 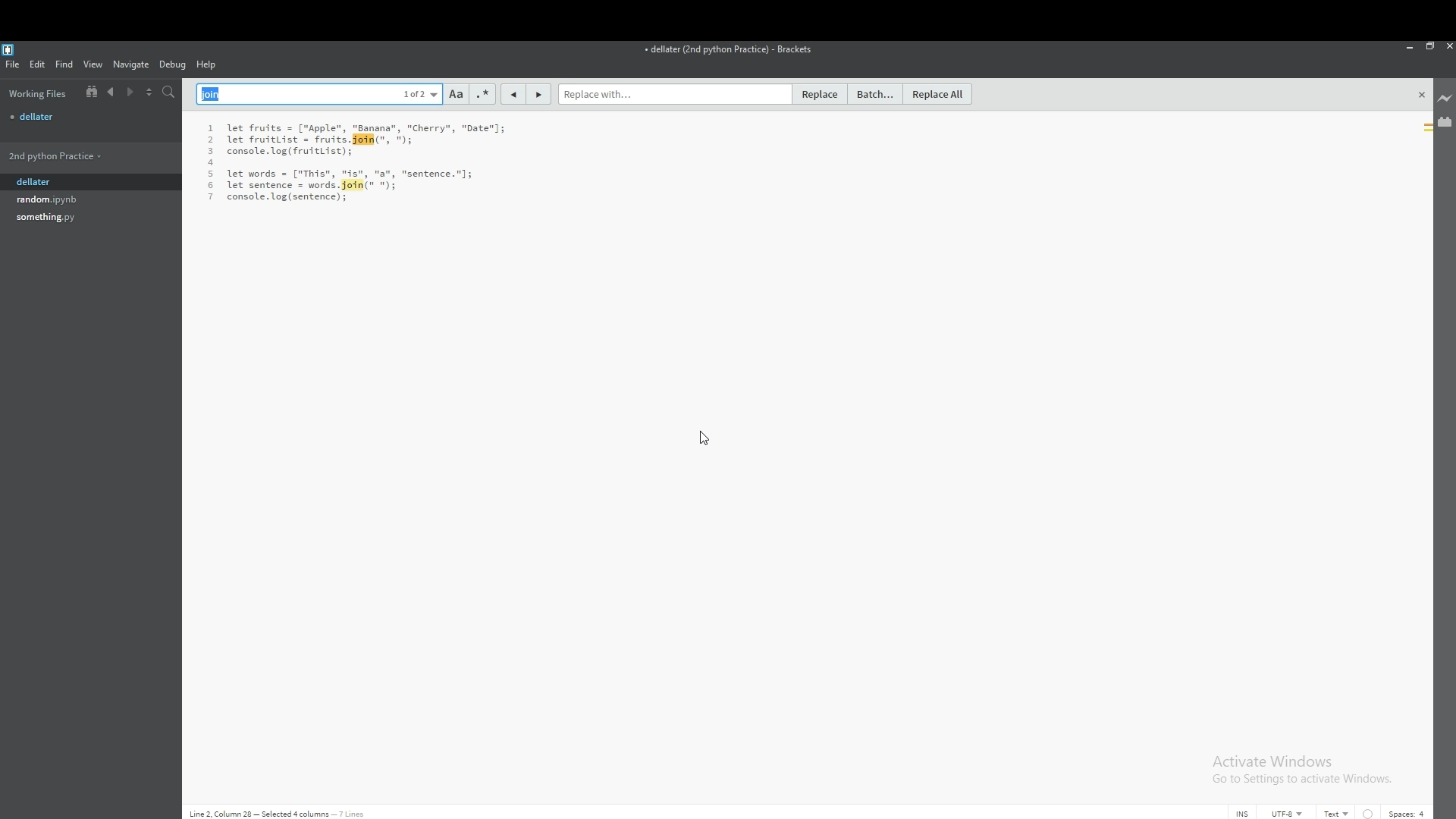 I want to click on file, so click(x=71, y=199).